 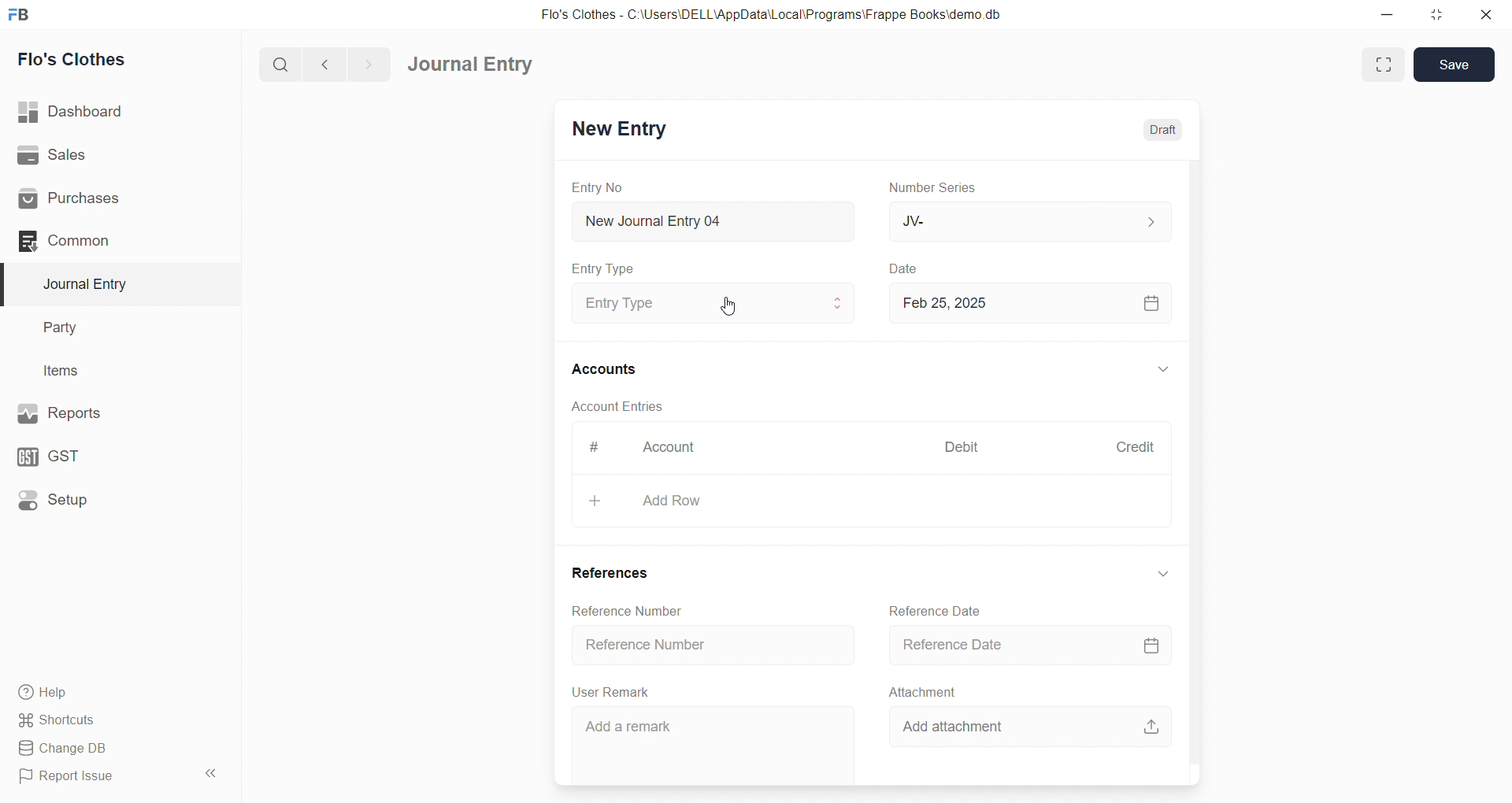 I want to click on Setup, so click(x=111, y=498).